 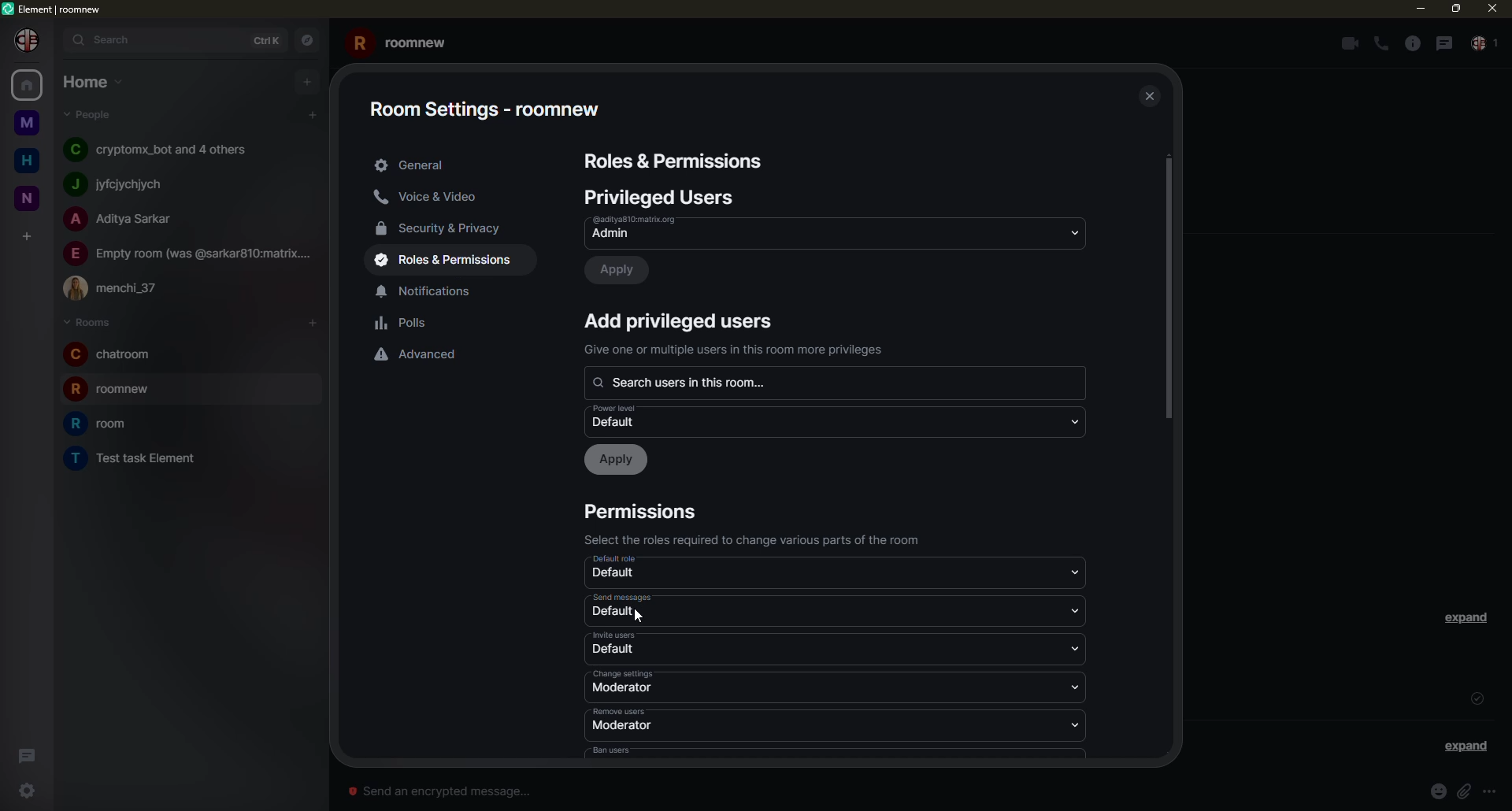 What do you see at coordinates (624, 560) in the screenshot?
I see `default` at bounding box center [624, 560].